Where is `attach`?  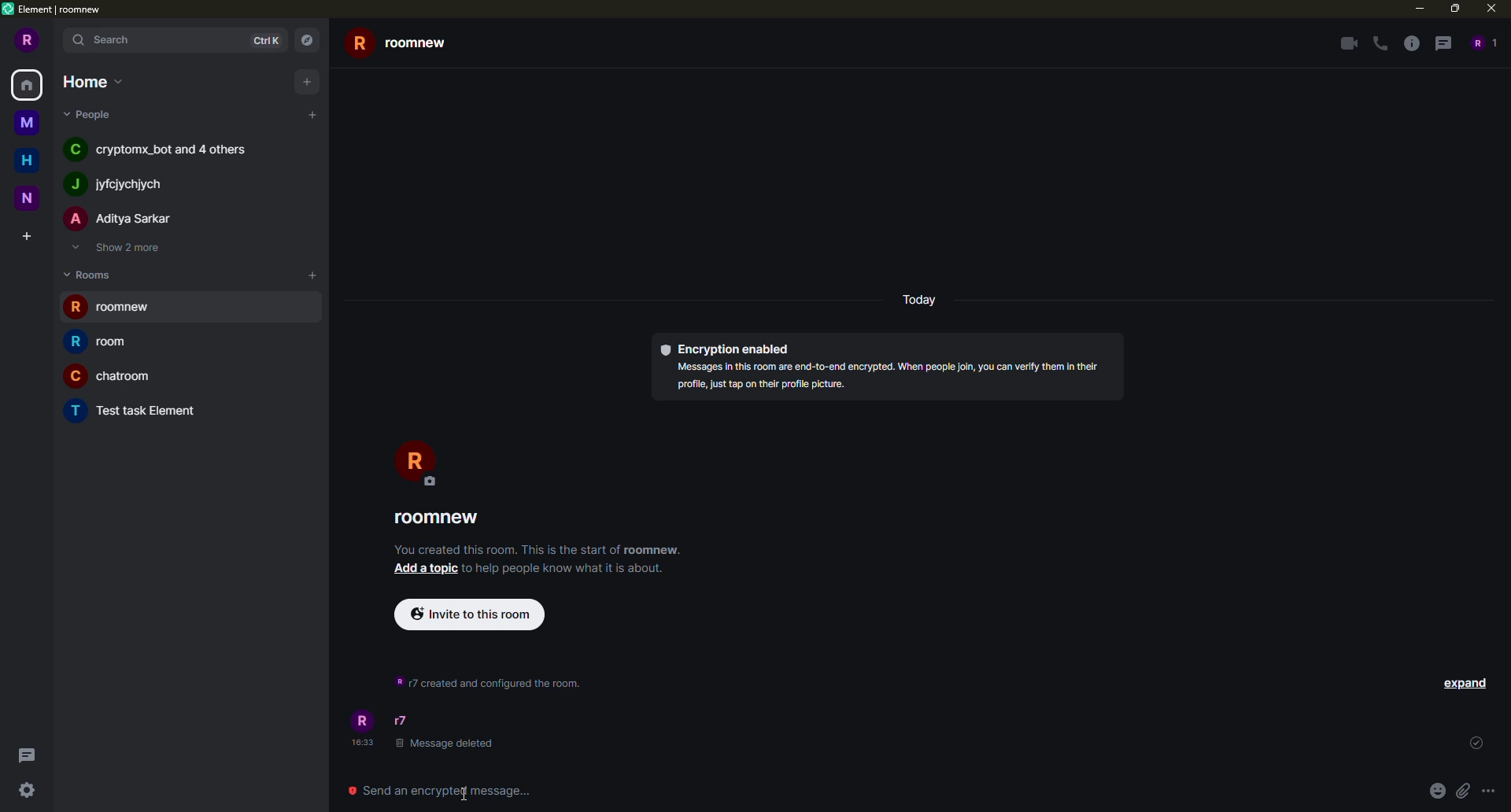 attach is located at coordinates (1462, 789).